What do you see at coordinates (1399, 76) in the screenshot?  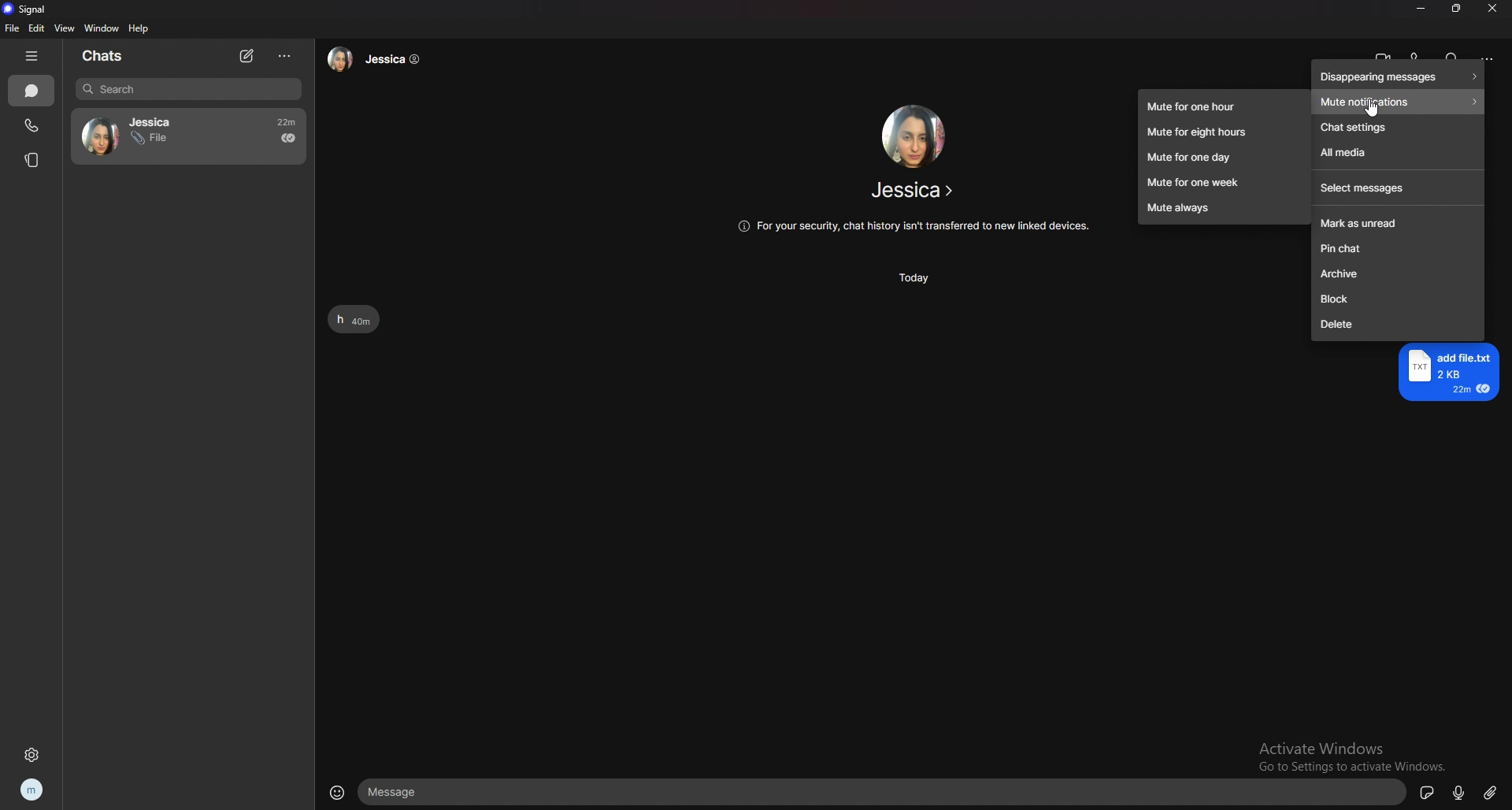 I see `disappearing messages` at bounding box center [1399, 76].